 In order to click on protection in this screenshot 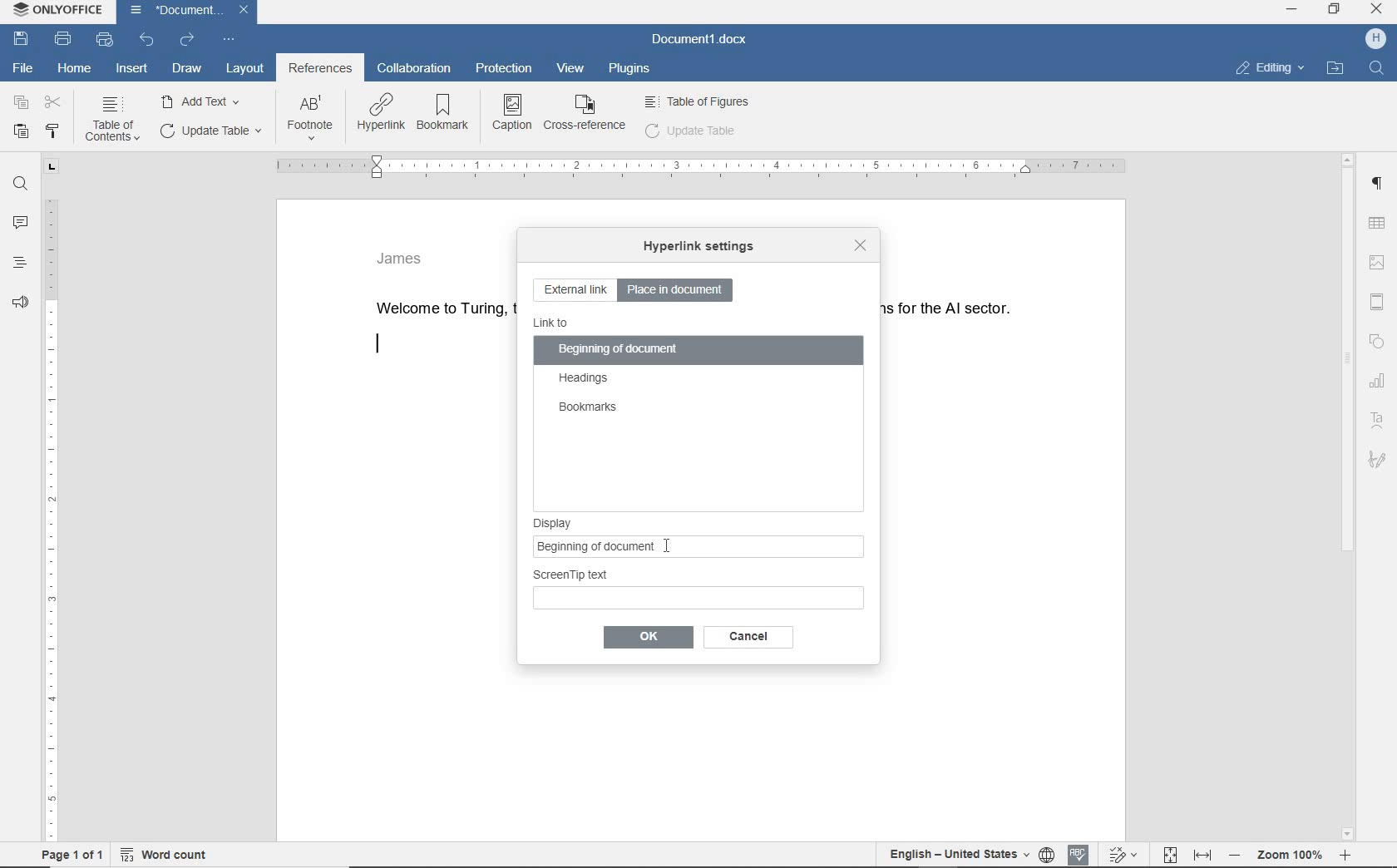, I will do `click(506, 70)`.